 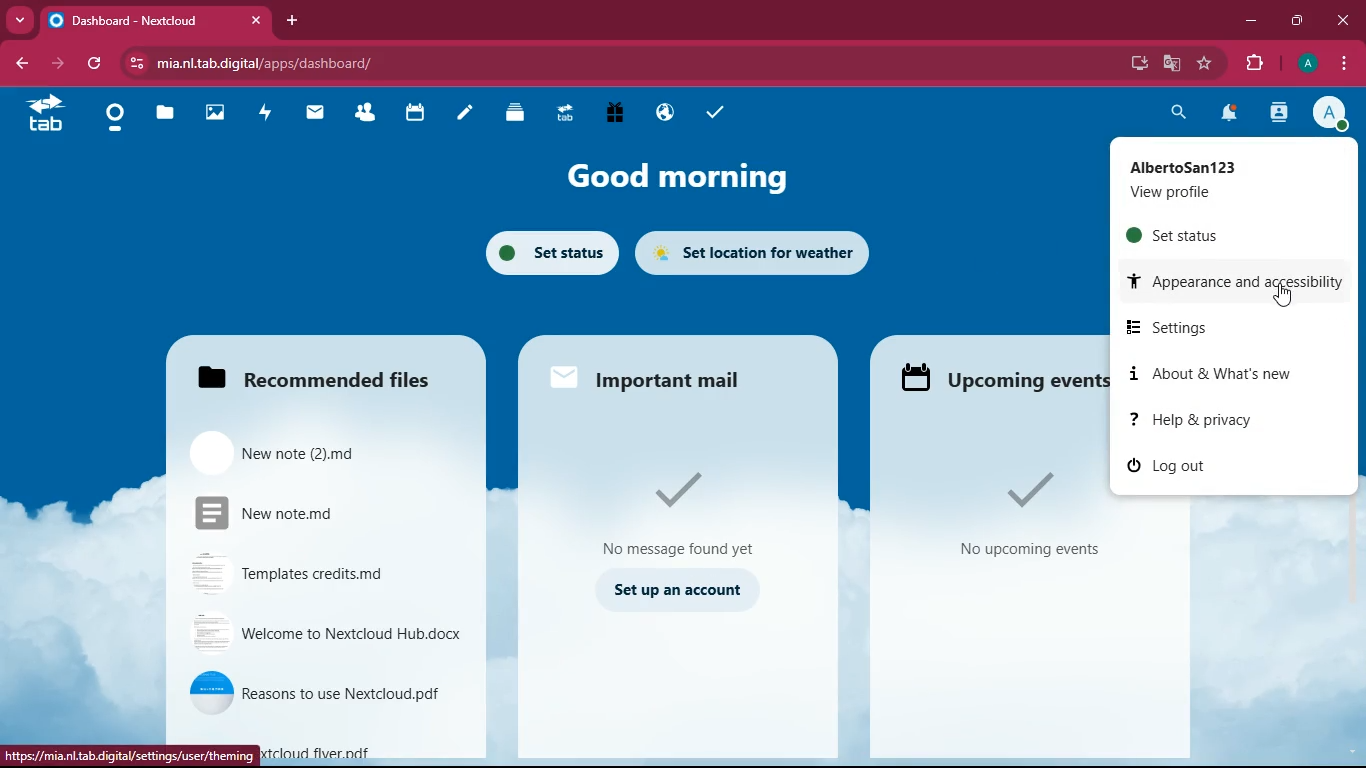 What do you see at coordinates (563, 113) in the screenshot?
I see `tab` at bounding box center [563, 113].